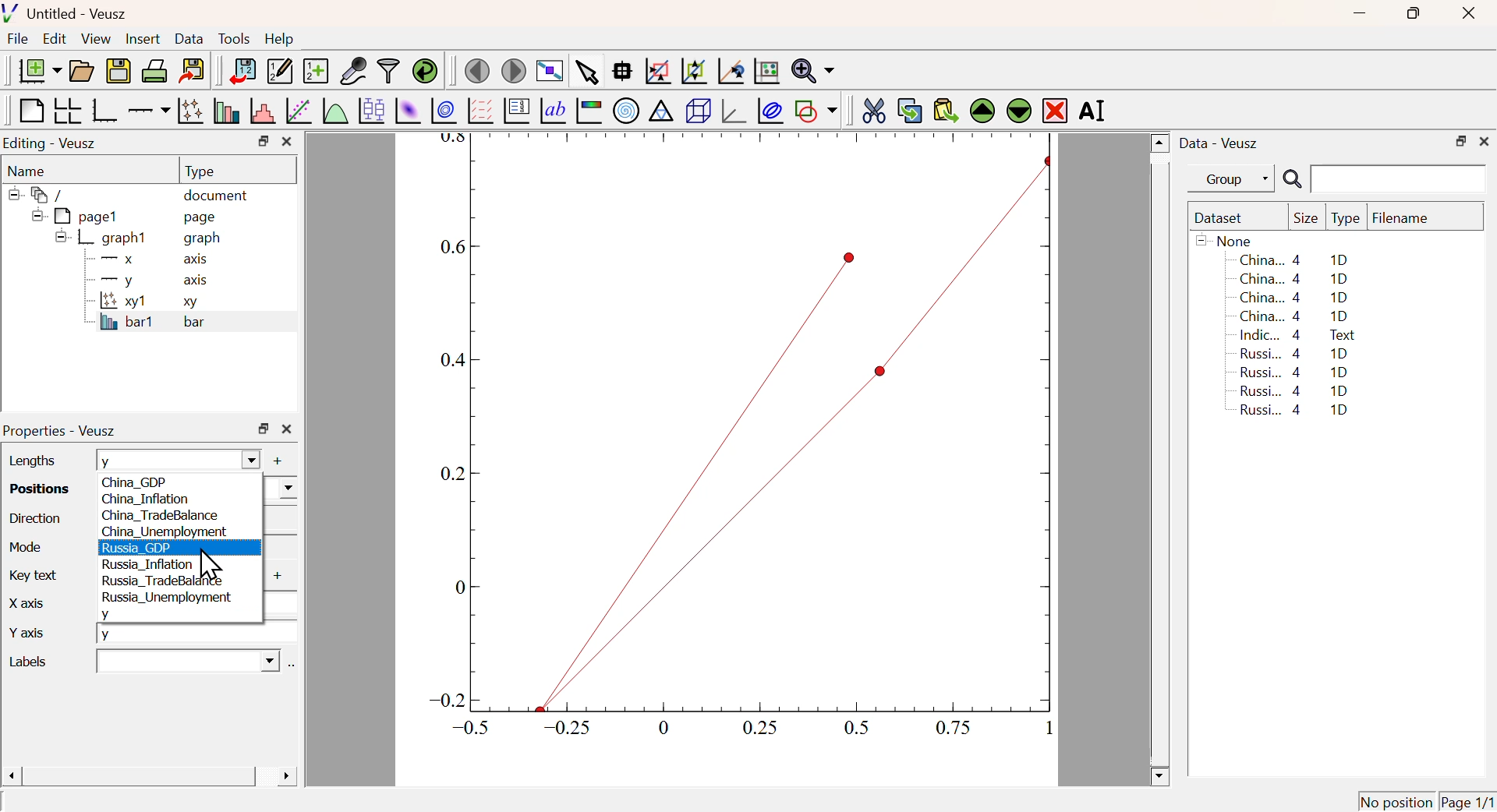  What do you see at coordinates (119, 72) in the screenshot?
I see `Save` at bounding box center [119, 72].